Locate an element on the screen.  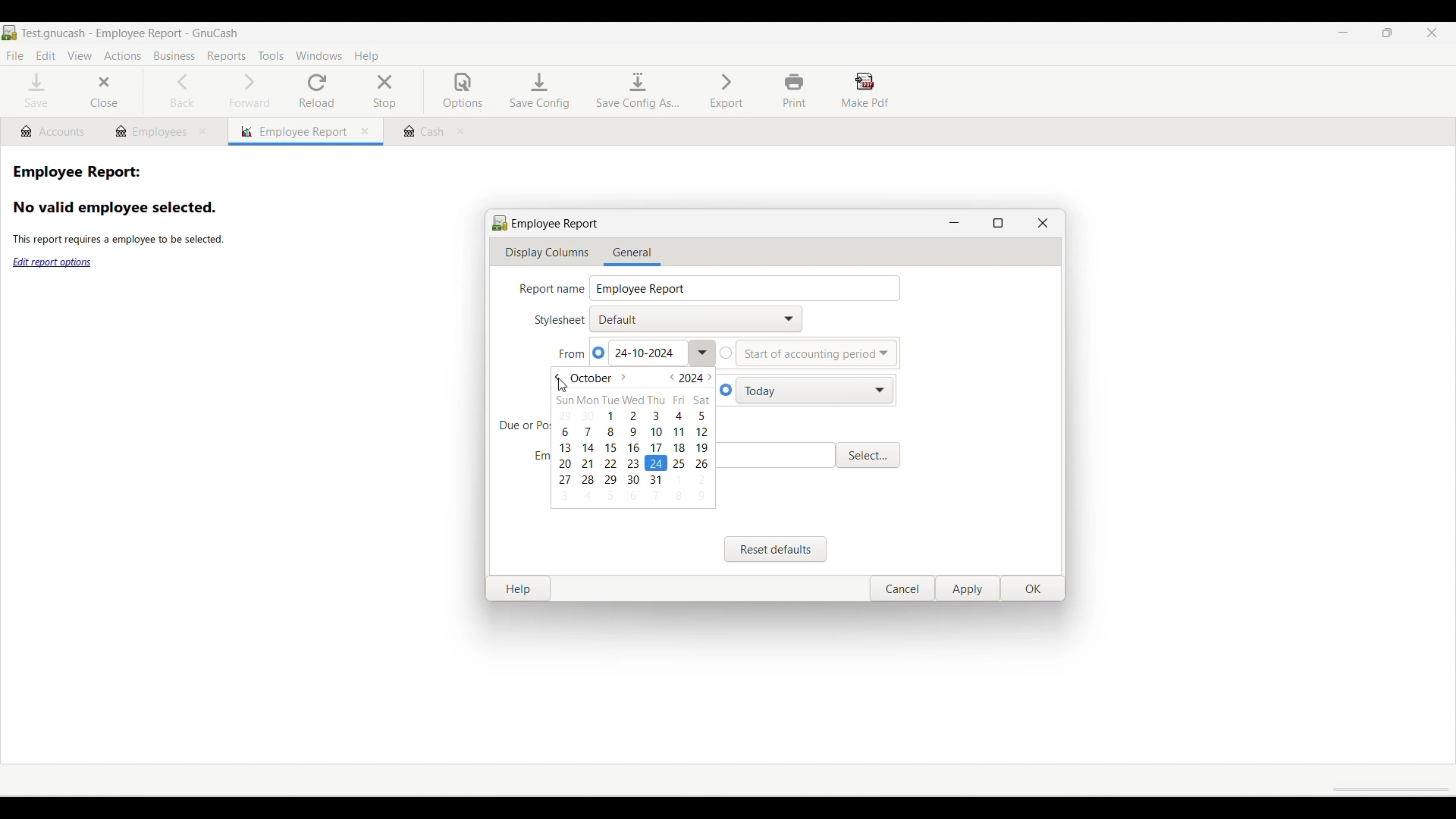
Calendar set to current date is located at coordinates (656, 463).